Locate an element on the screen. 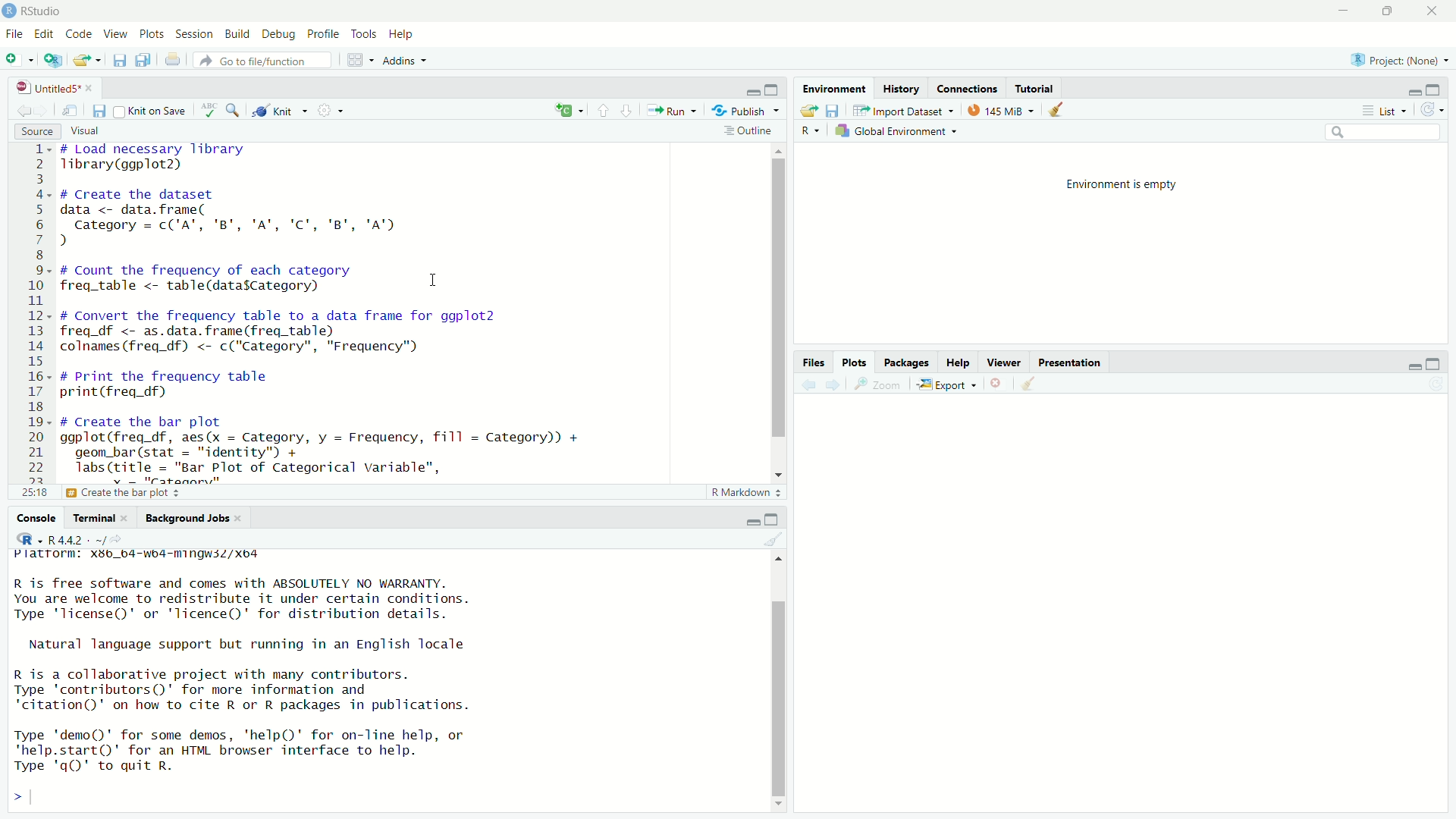  Addins is located at coordinates (406, 63).